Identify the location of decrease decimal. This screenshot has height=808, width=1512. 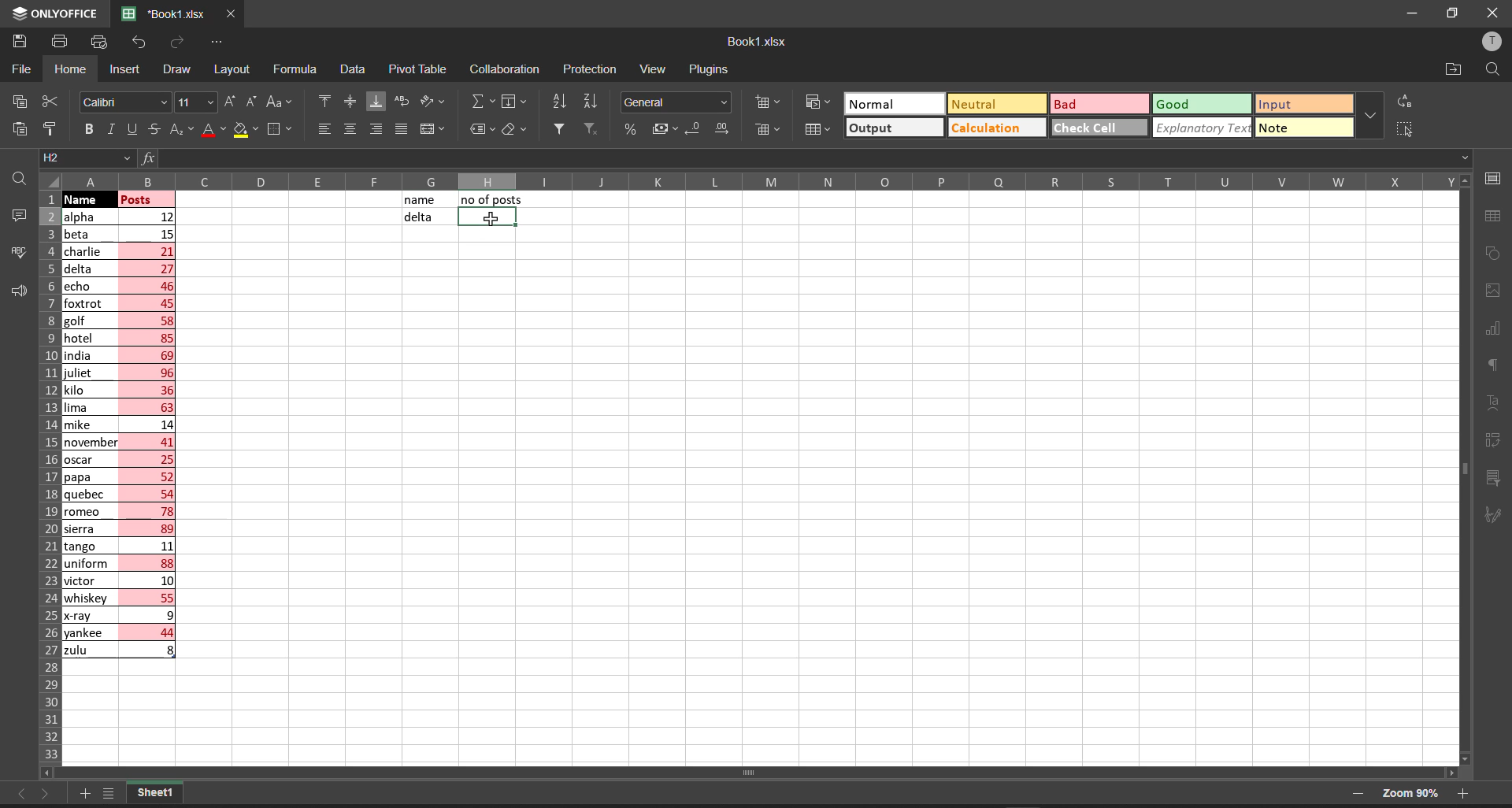
(691, 129).